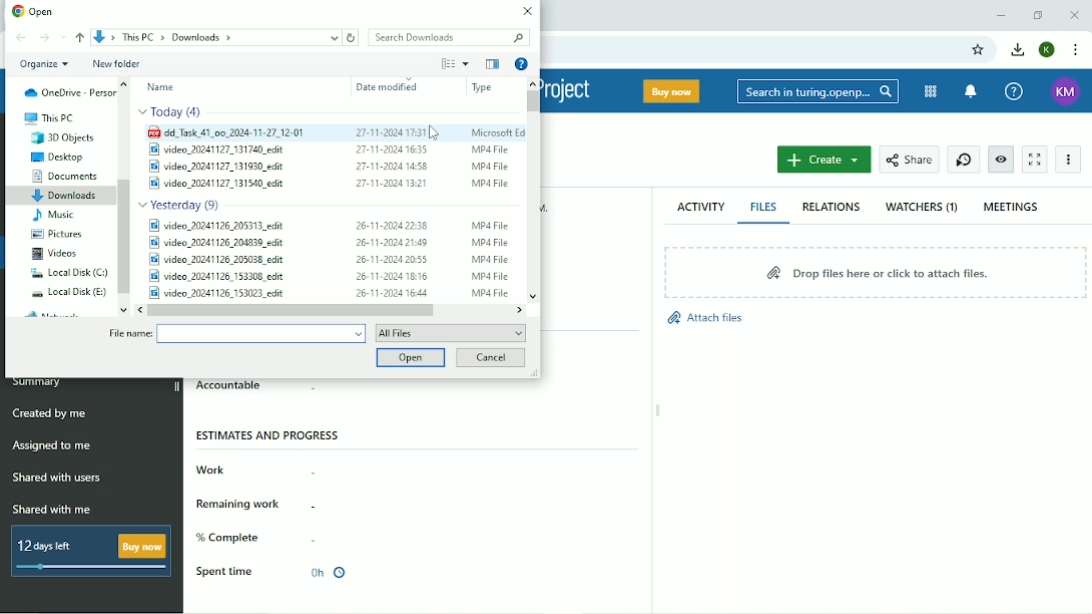 Image resolution: width=1092 pixels, height=614 pixels. Describe the element at coordinates (117, 63) in the screenshot. I see `New folder` at that location.